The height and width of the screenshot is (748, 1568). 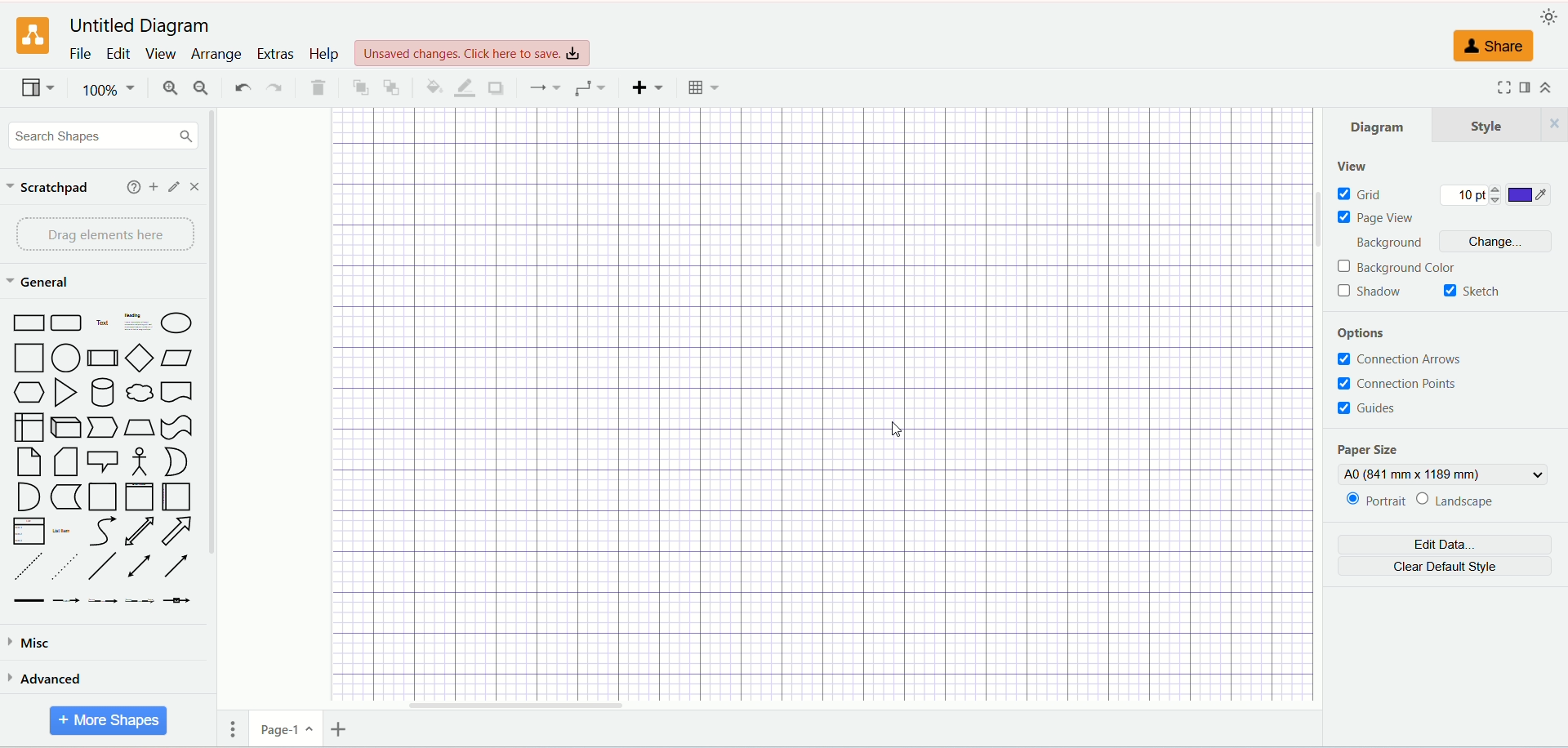 What do you see at coordinates (1445, 474) in the screenshot?
I see `A0 Size` at bounding box center [1445, 474].